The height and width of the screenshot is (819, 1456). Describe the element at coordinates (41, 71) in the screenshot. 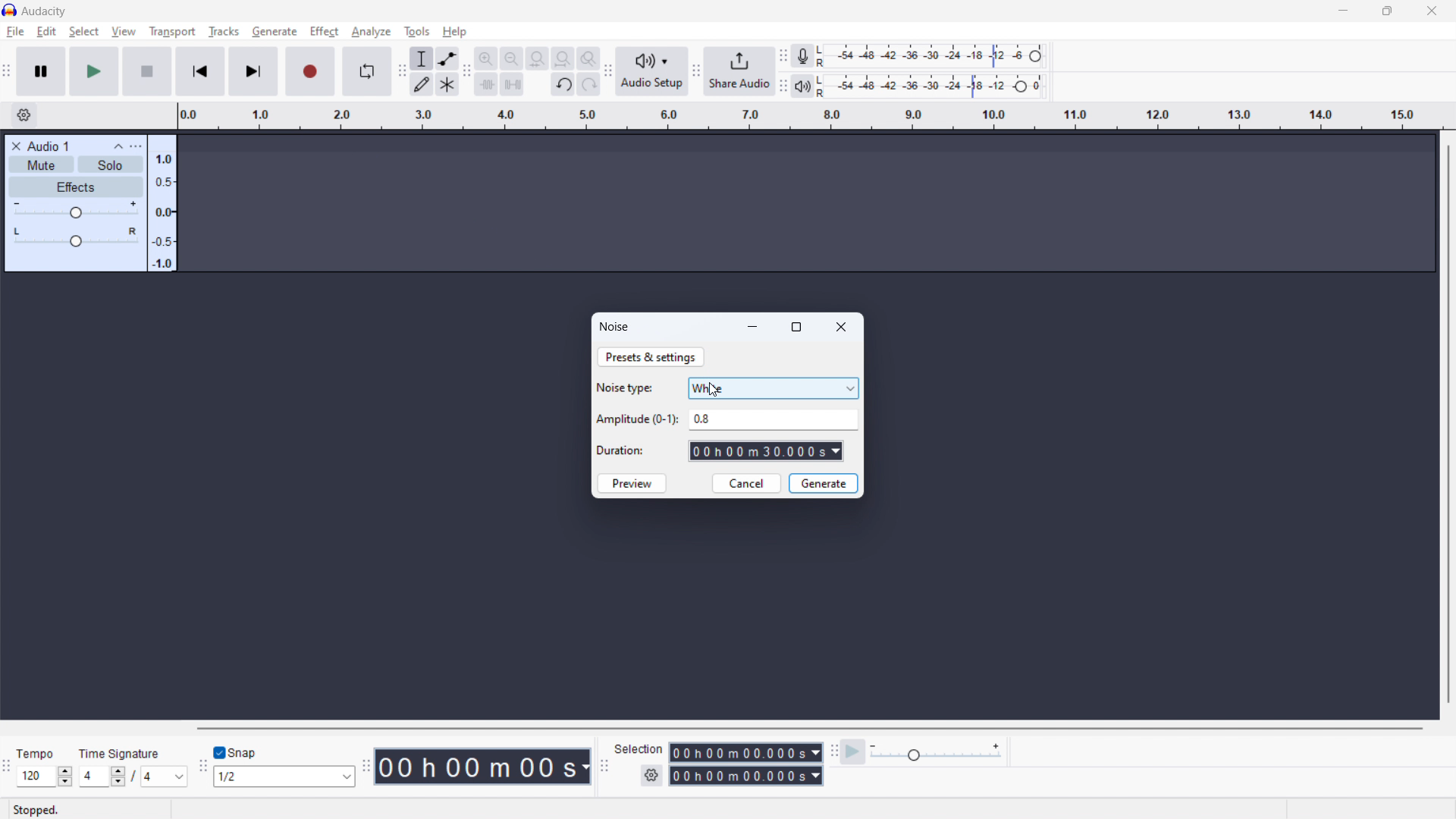

I see `pause` at that location.